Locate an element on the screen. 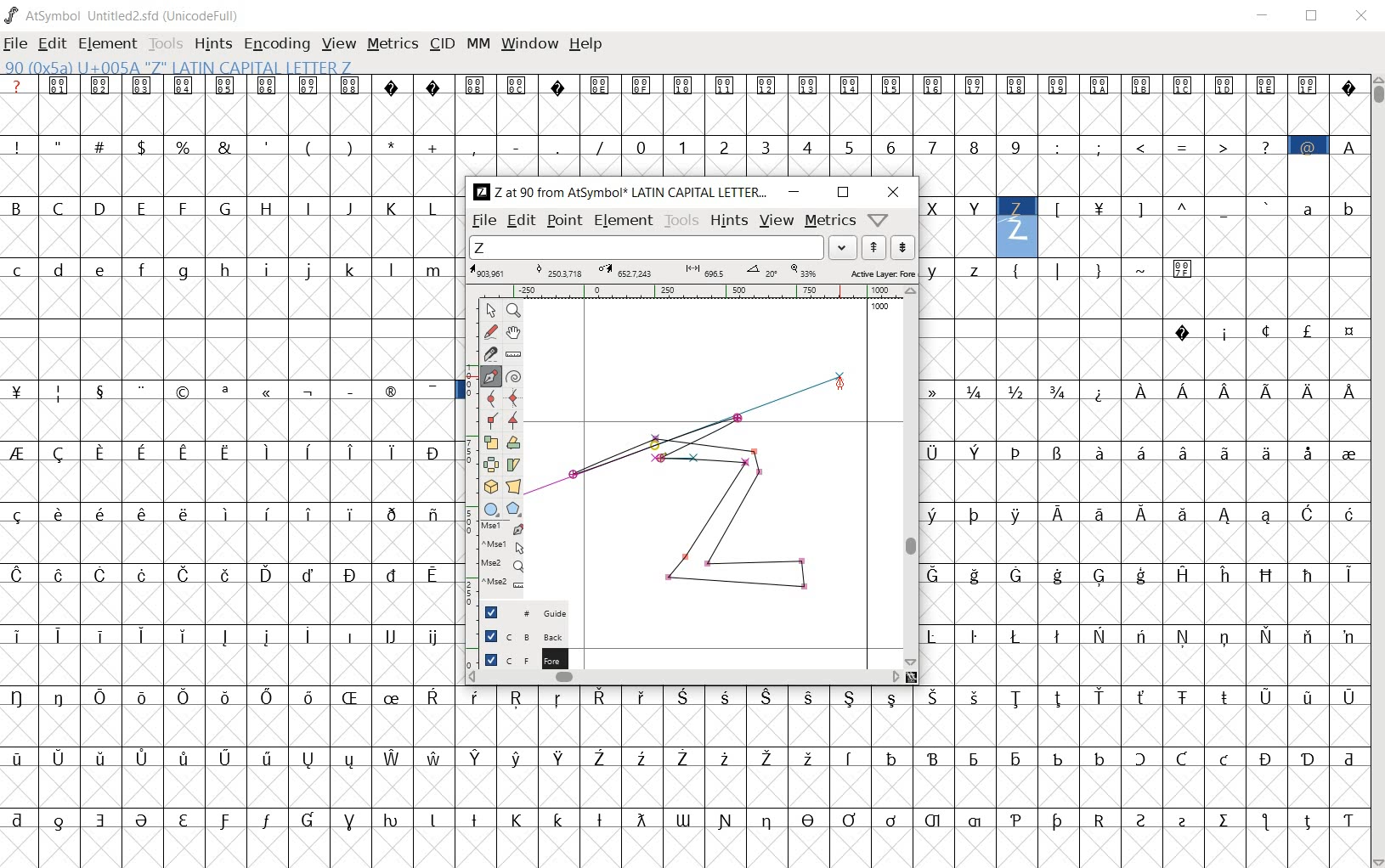 The image size is (1385, 868). polygon or star is located at coordinates (514, 510).